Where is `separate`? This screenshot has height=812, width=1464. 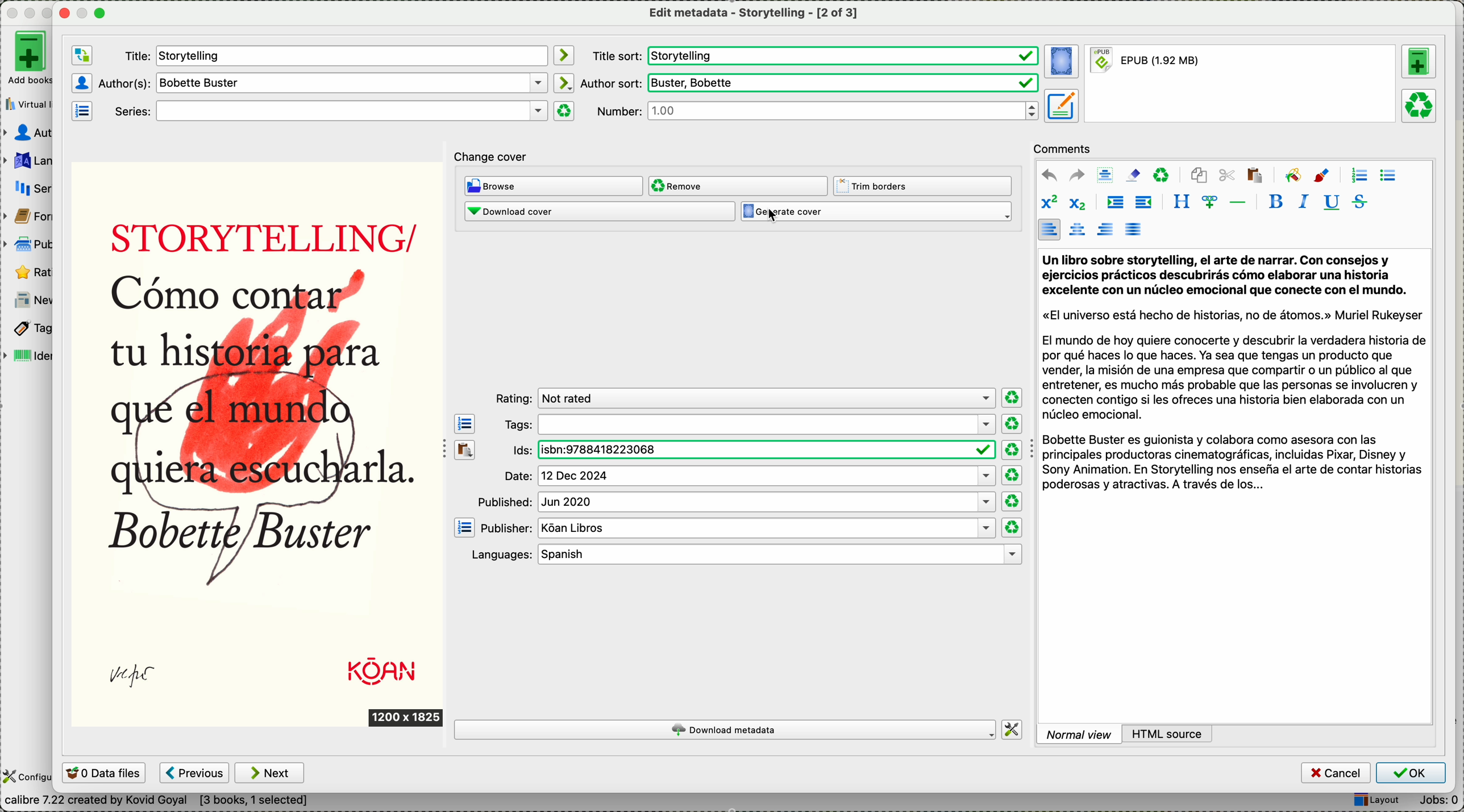 separate is located at coordinates (1237, 201).